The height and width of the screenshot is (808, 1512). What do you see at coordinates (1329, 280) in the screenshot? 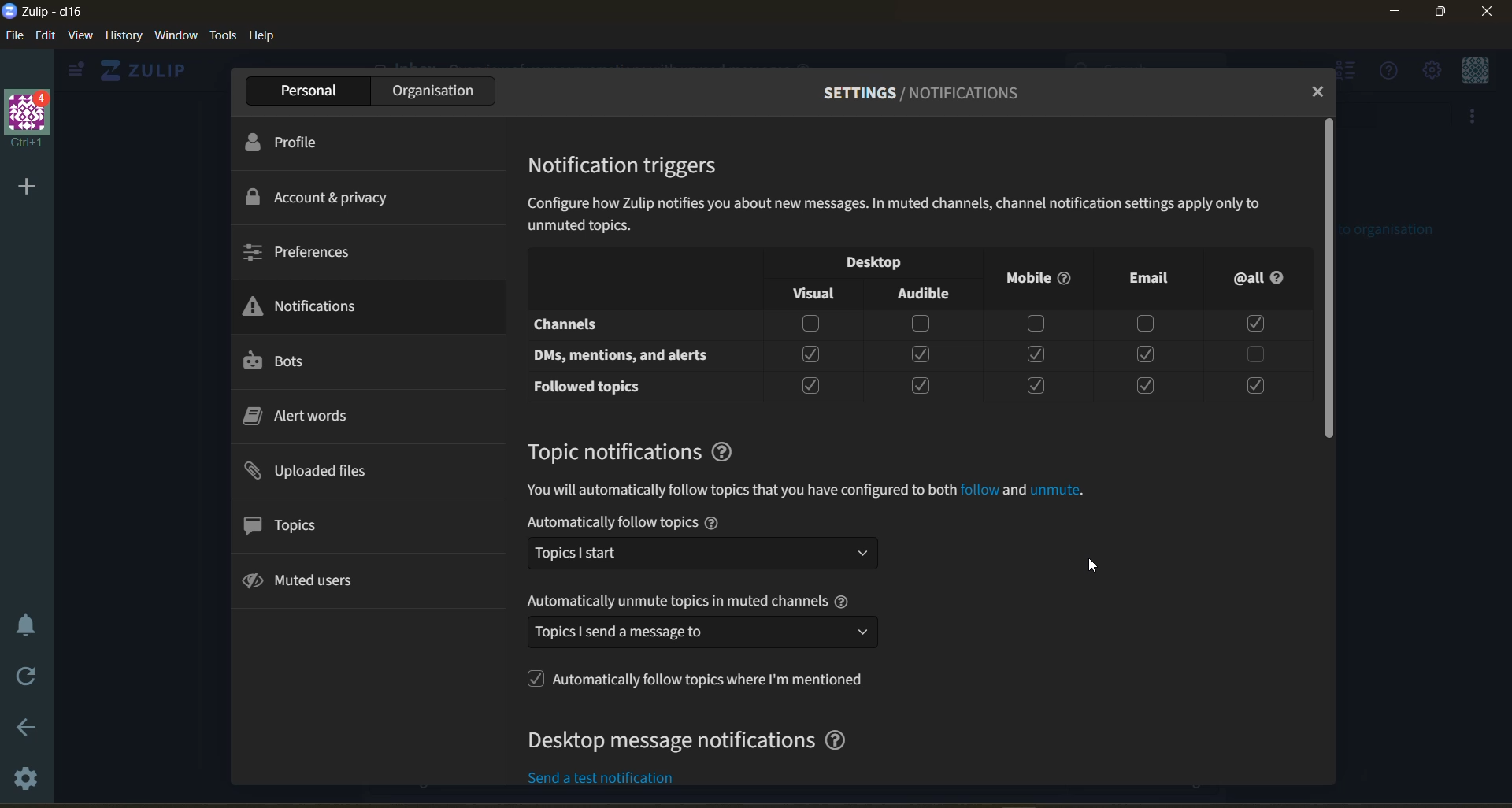
I see `scroll` at bounding box center [1329, 280].